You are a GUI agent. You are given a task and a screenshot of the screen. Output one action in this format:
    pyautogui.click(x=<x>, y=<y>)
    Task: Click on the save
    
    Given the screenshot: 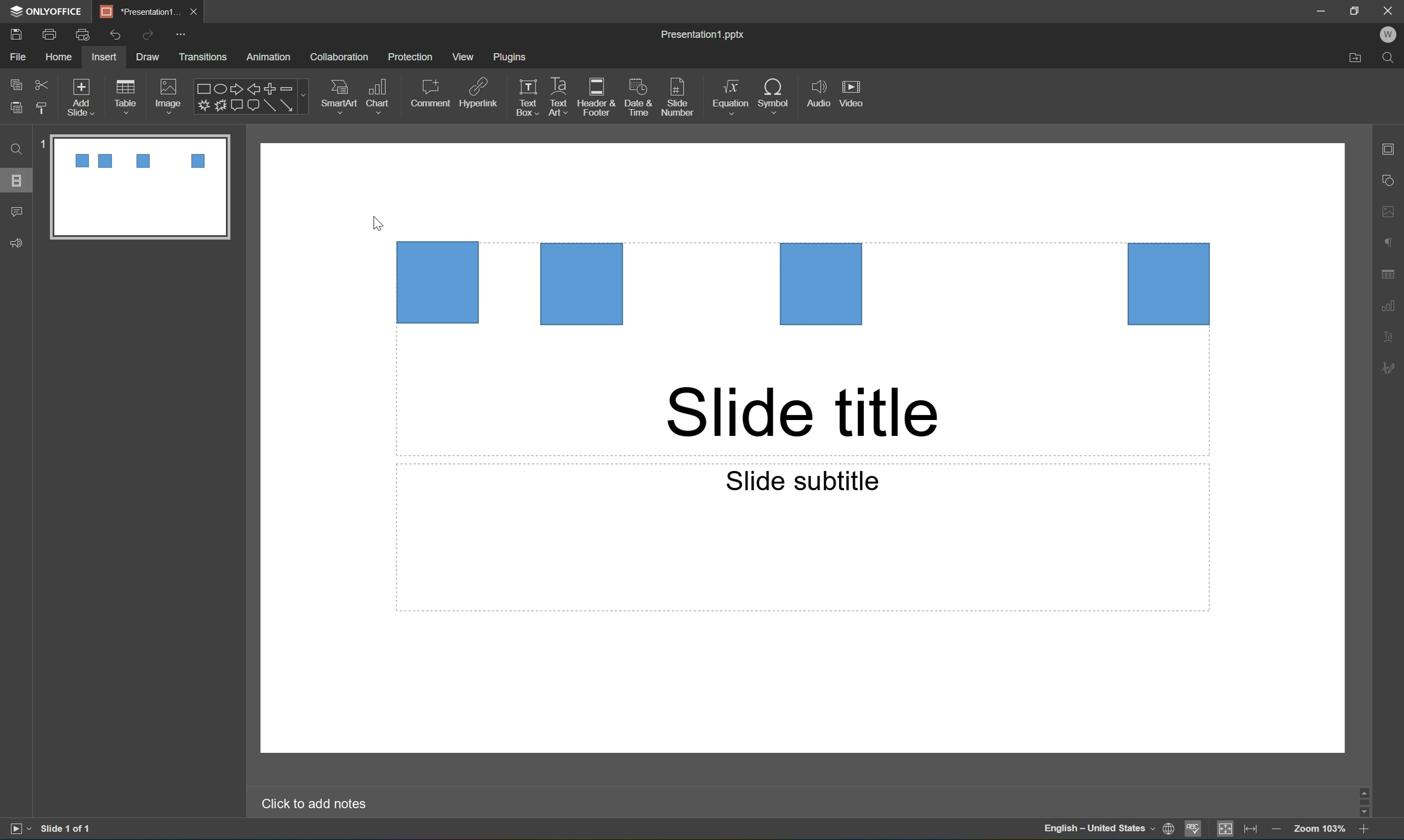 What is the action you would take?
    pyautogui.click(x=14, y=33)
    